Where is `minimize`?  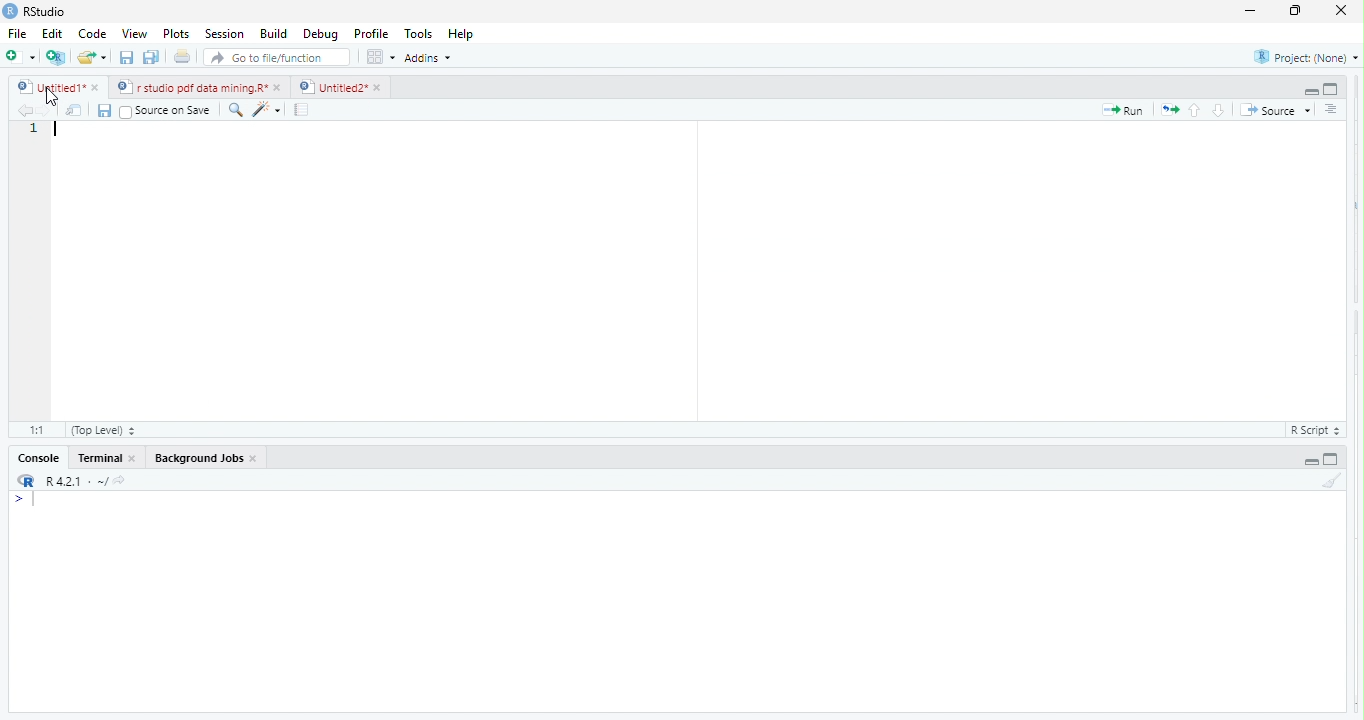 minimize is located at coordinates (1292, 13).